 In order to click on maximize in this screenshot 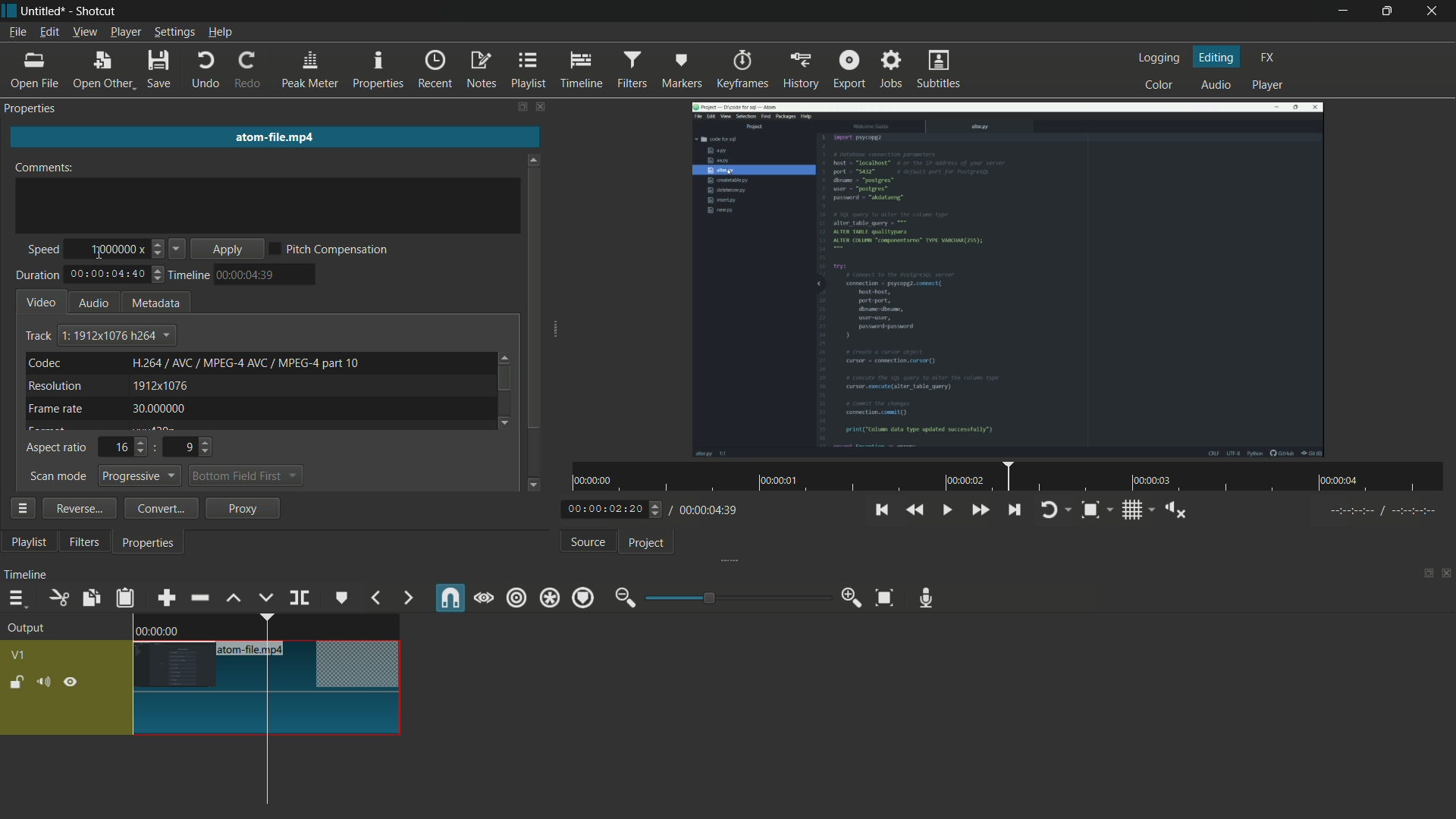, I will do `click(1389, 10)`.